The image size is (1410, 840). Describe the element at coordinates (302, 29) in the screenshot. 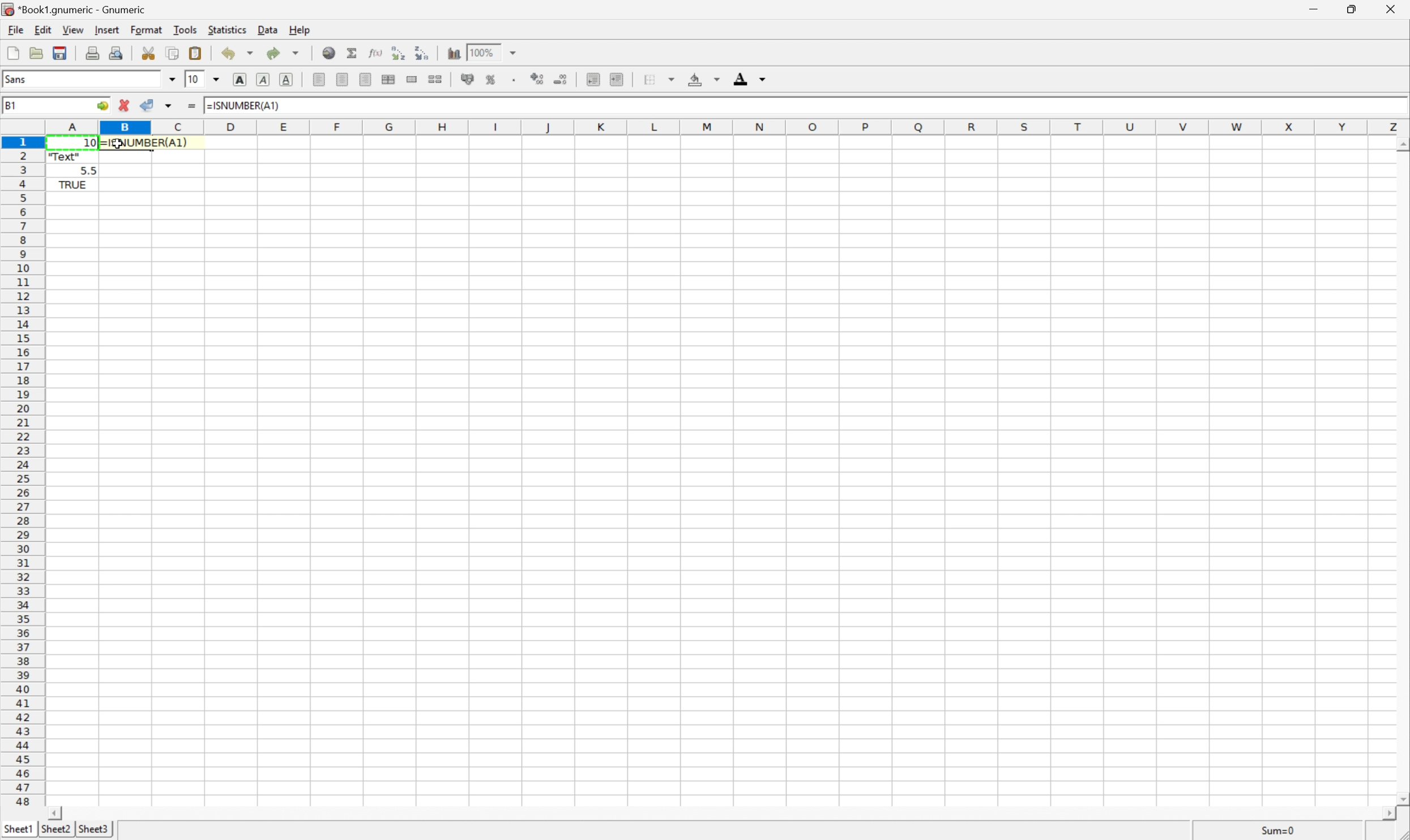

I see `Help` at that location.